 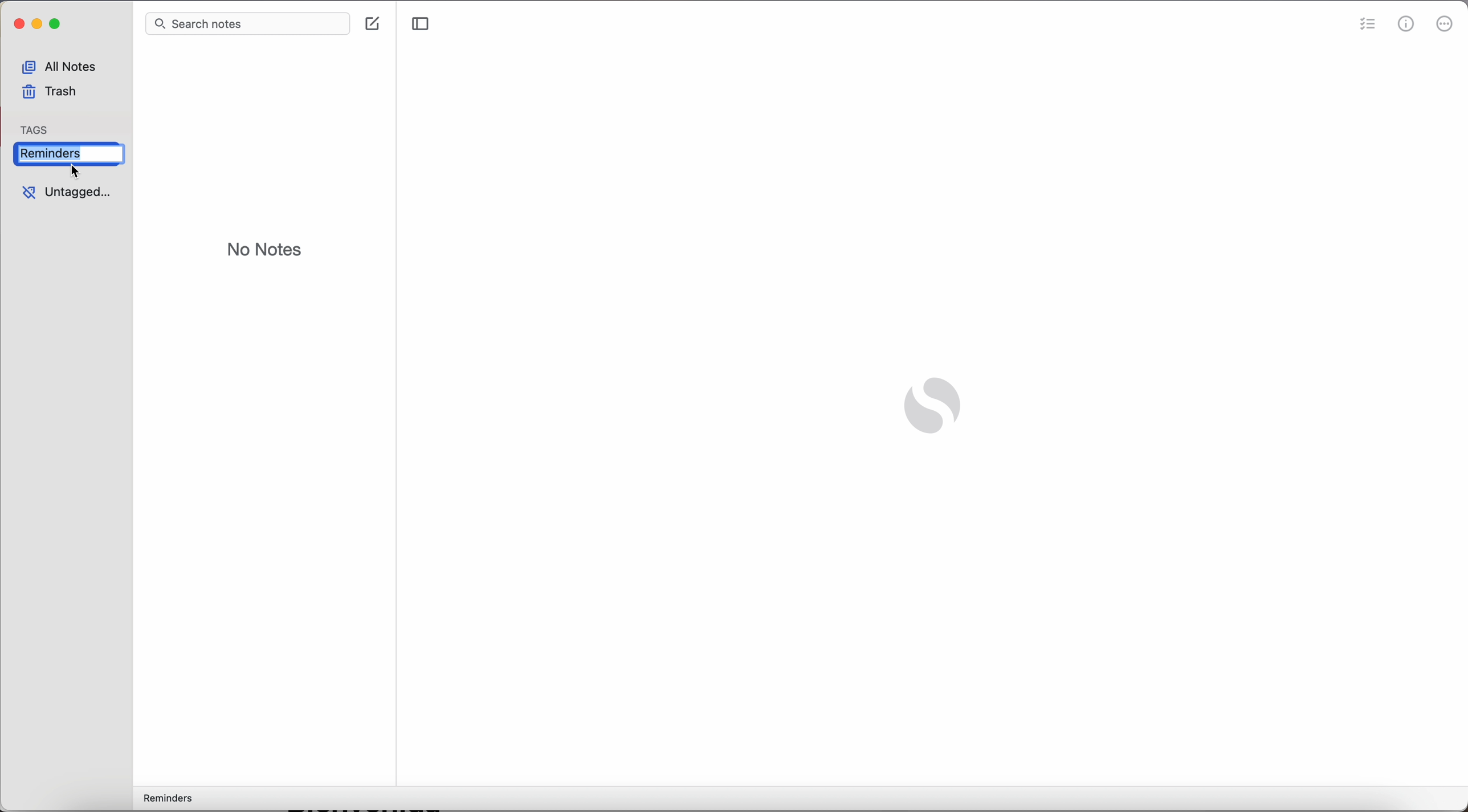 What do you see at coordinates (76, 172) in the screenshot?
I see `cursor` at bounding box center [76, 172].